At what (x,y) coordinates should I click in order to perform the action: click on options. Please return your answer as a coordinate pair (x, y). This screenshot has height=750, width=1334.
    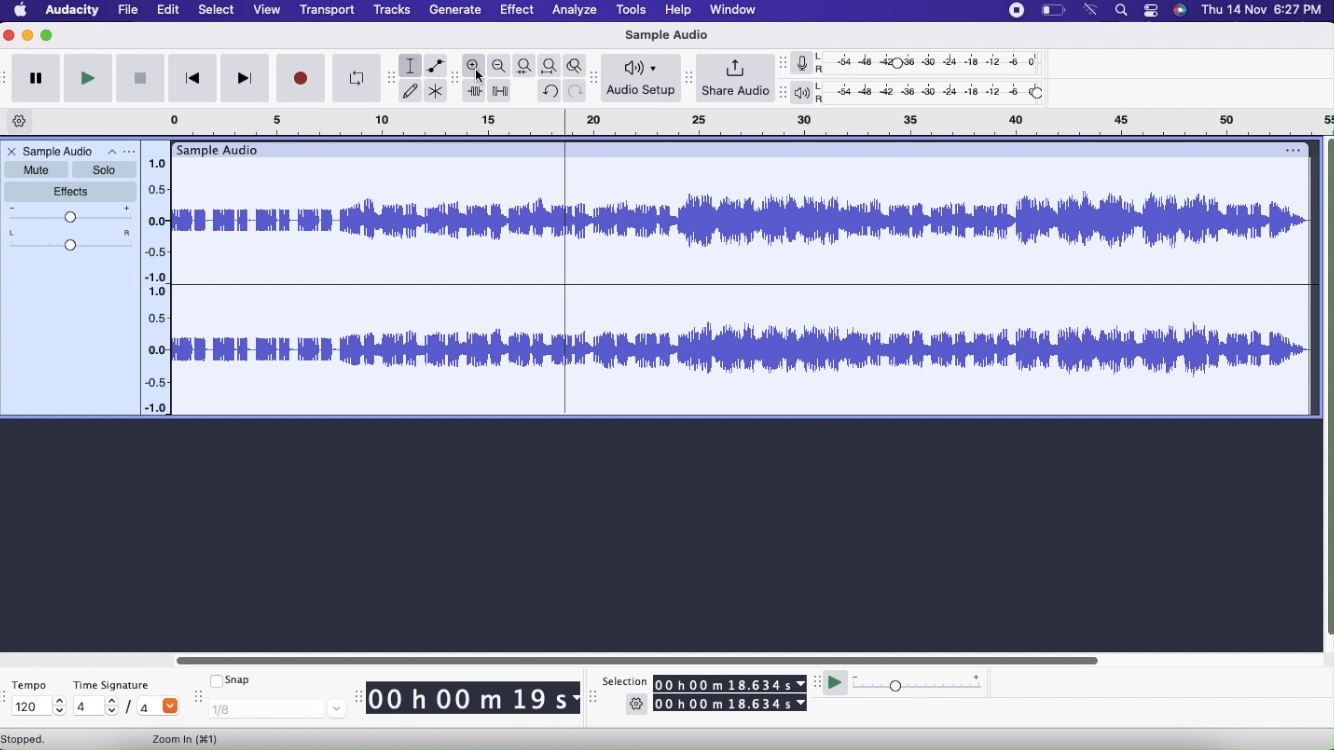
    Looking at the image, I should click on (1291, 149).